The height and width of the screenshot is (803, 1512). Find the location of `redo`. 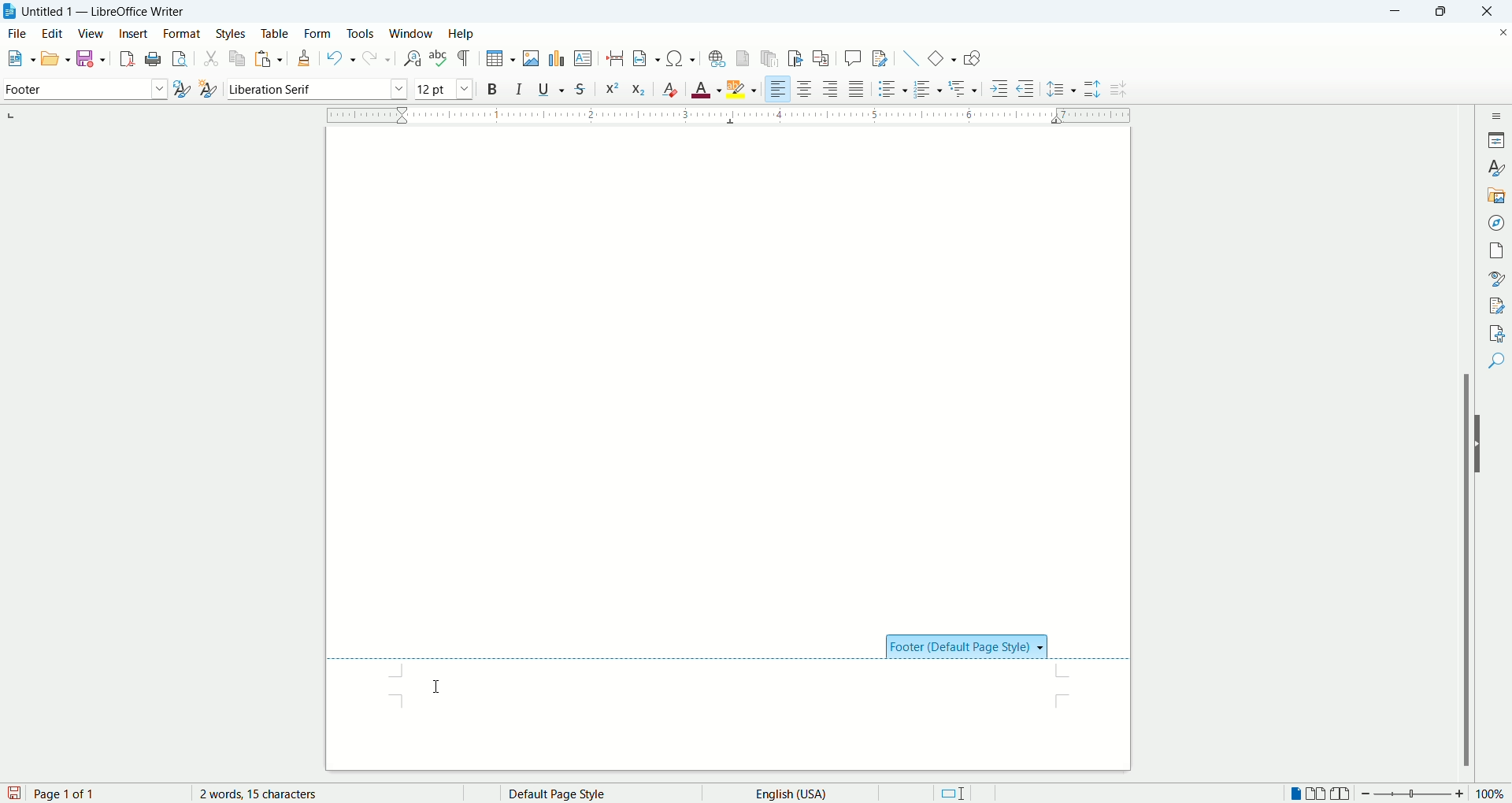

redo is located at coordinates (375, 59).